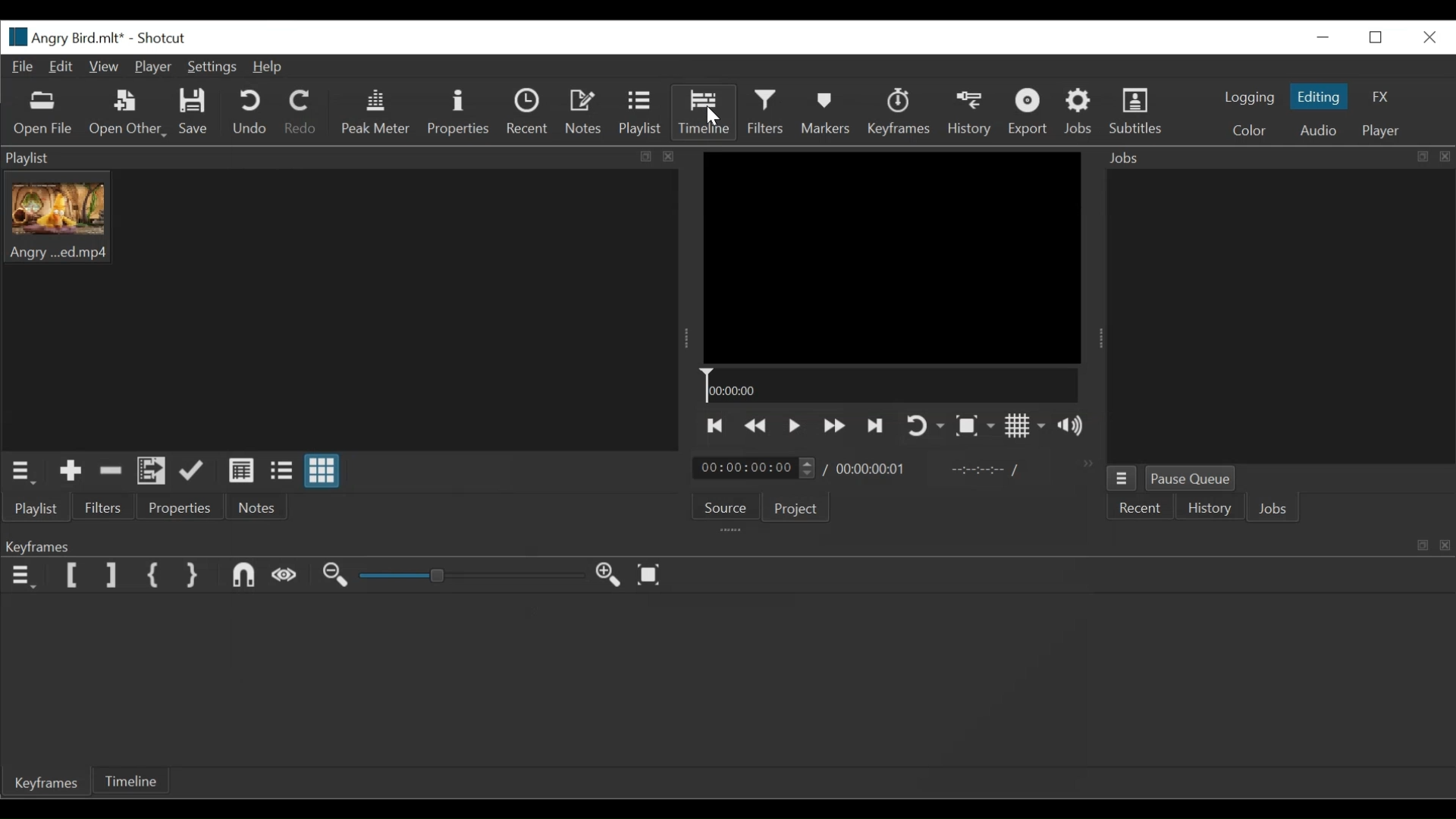 The width and height of the screenshot is (1456, 819). What do you see at coordinates (1323, 130) in the screenshot?
I see `Audio` at bounding box center [1323, 130].